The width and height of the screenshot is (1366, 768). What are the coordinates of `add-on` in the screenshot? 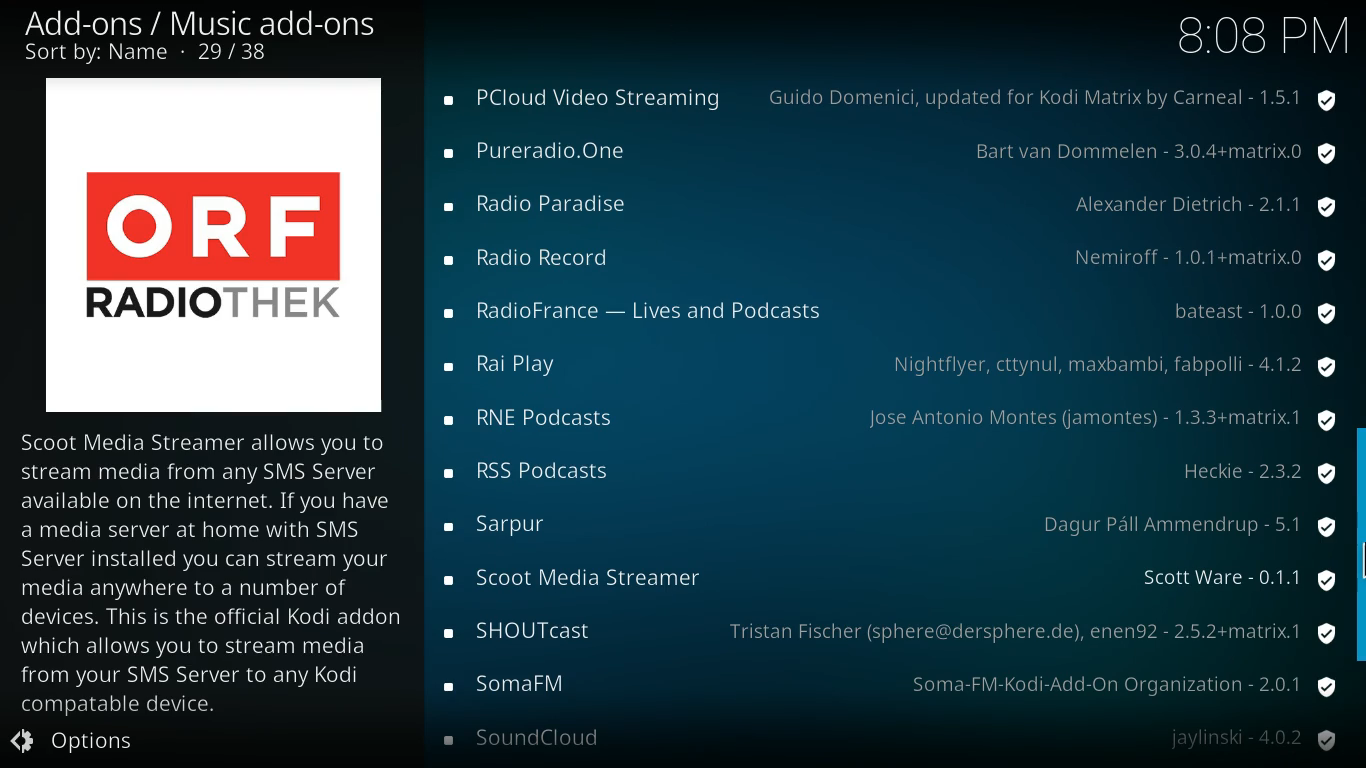 It's located at (502, 366).